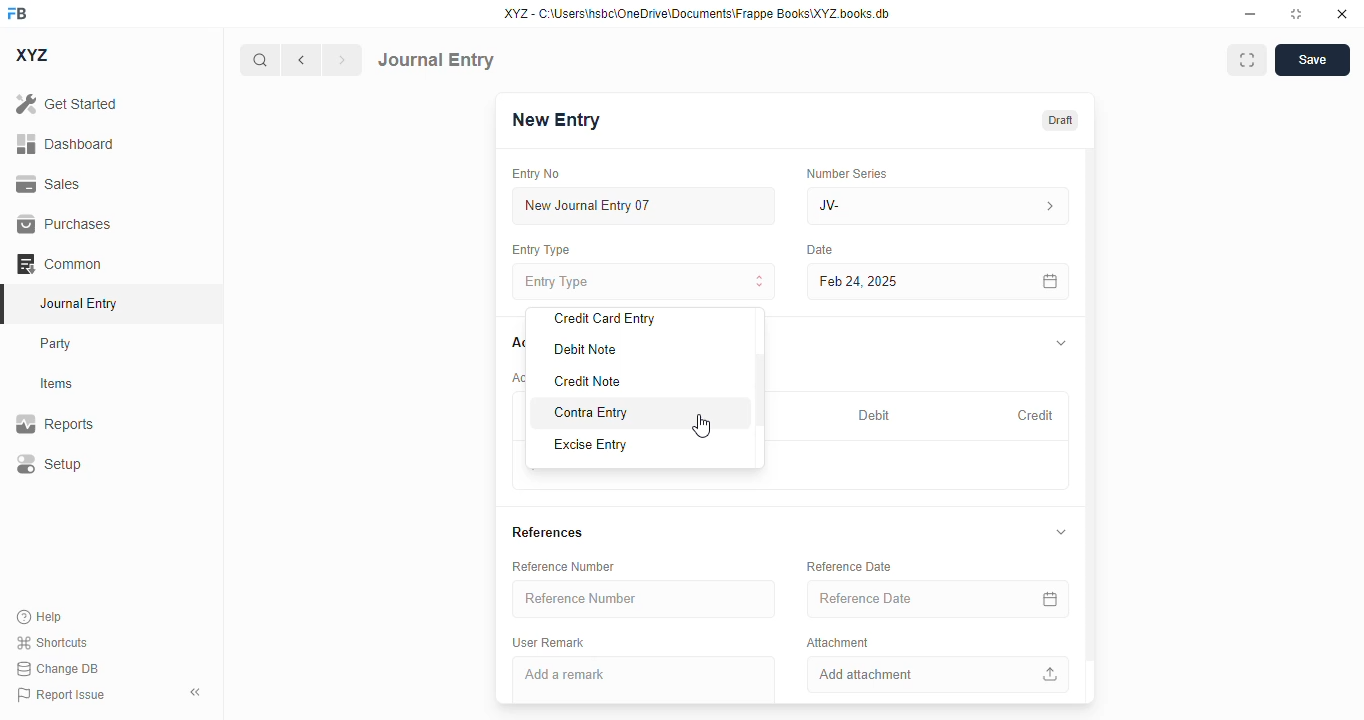 The width and height of the screenshot is (1364, 720). Describe the element at coordinates (702, 426) in the screenshot. I see `cursor` at that location.